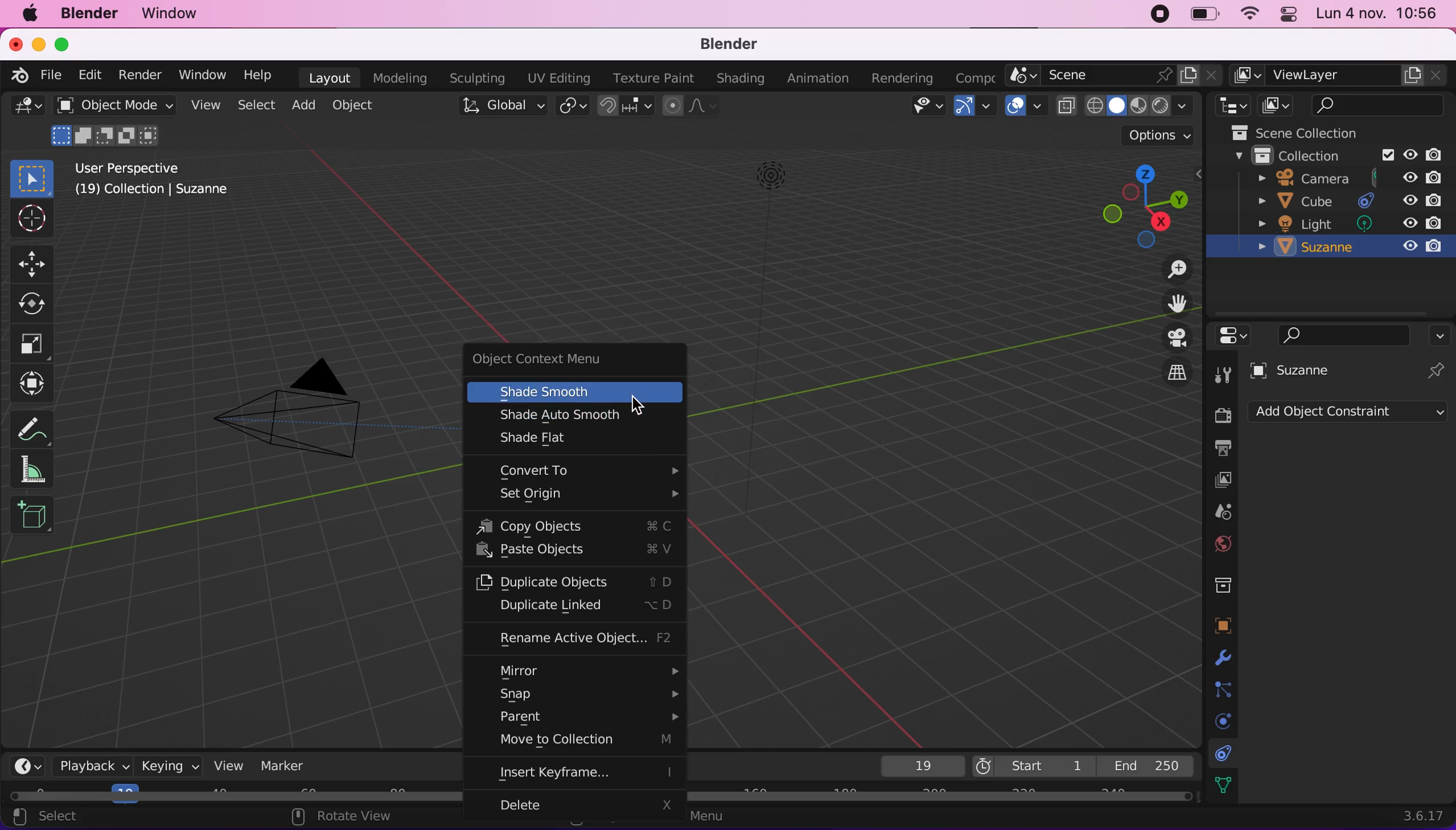  I want to click on rotate, so click(35, 304).